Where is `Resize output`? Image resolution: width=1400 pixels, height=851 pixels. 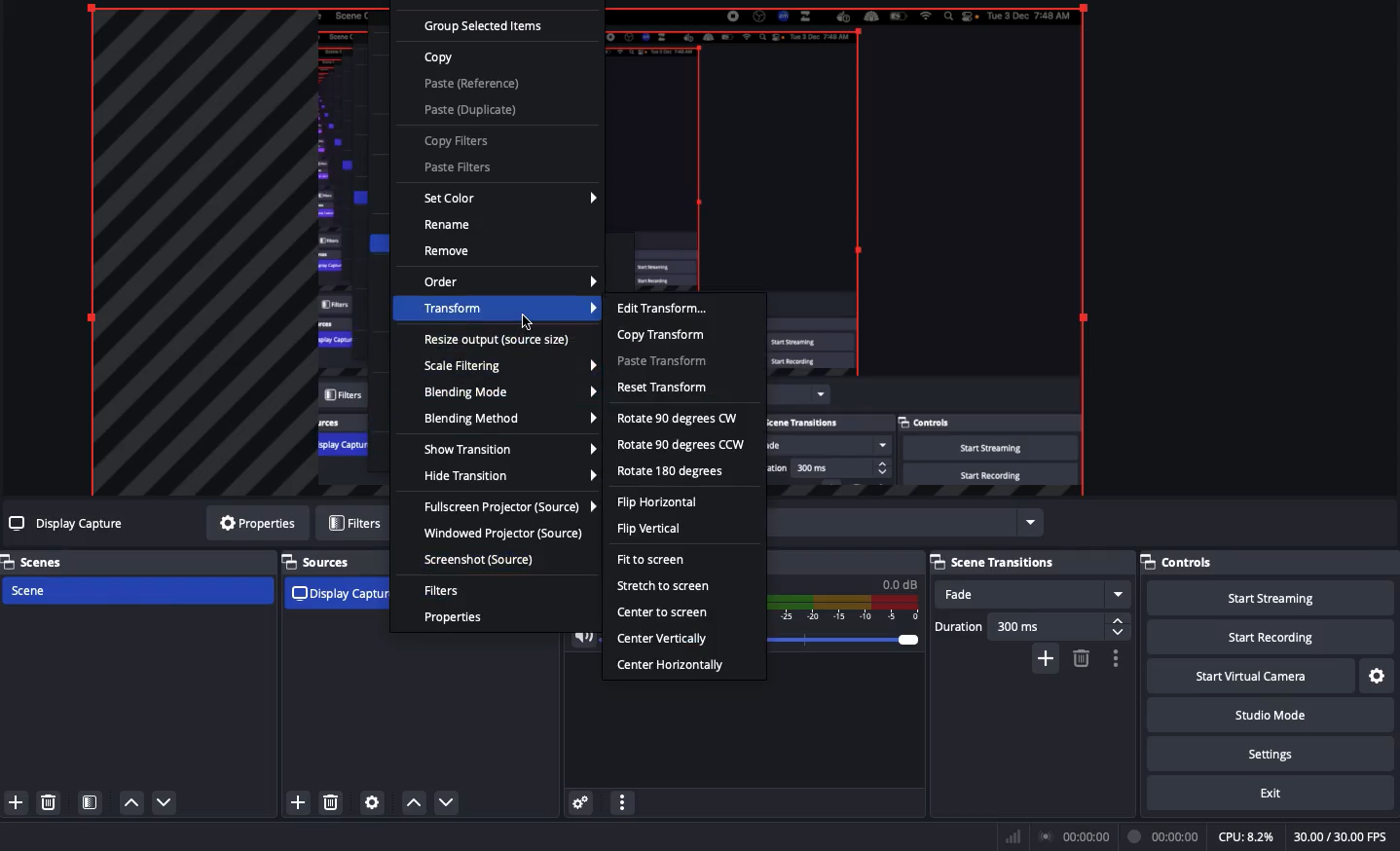
Resize output is located at coordinates (501, 340).